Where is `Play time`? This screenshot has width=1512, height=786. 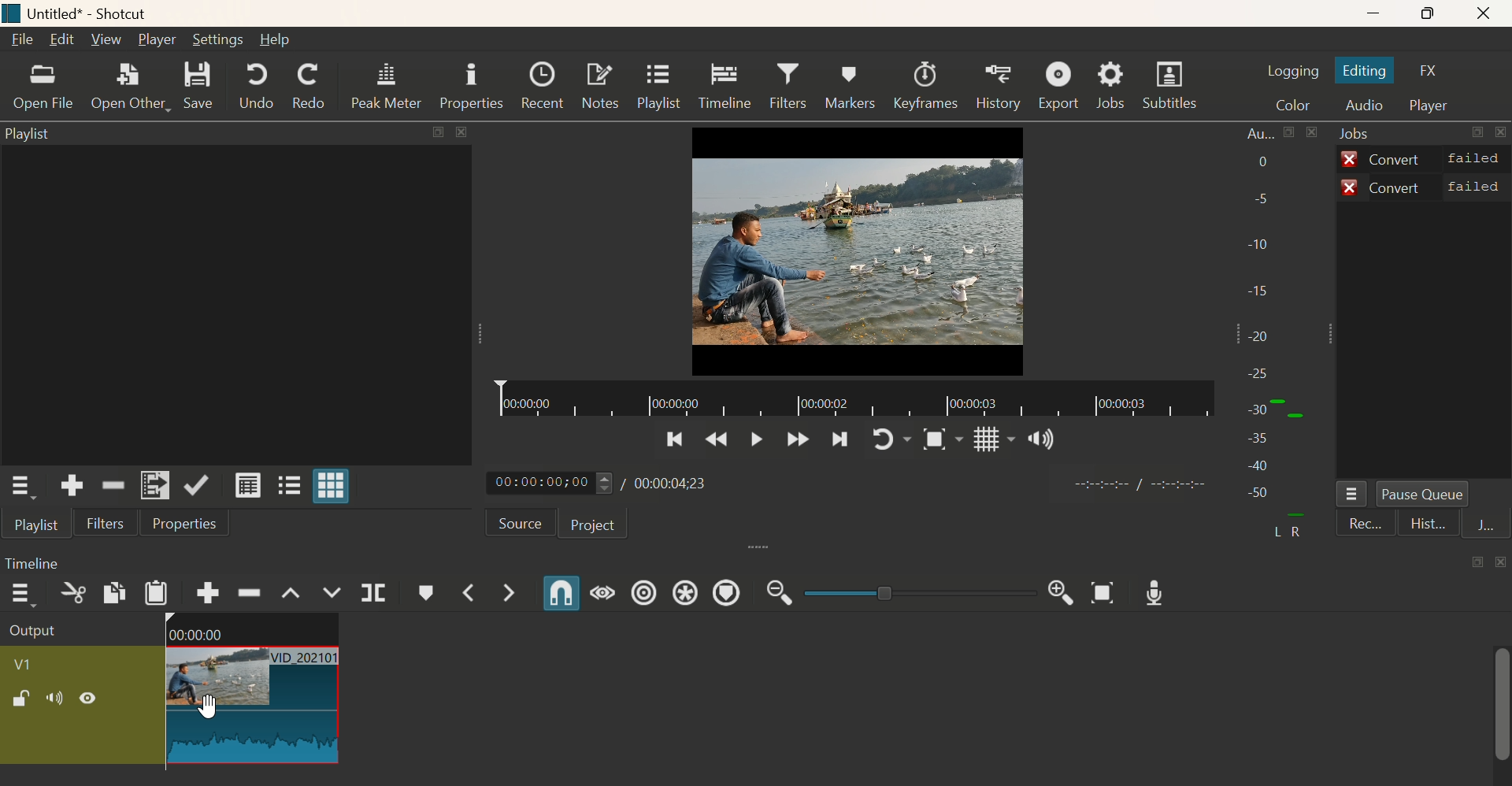
Play time is located at coordinates (607, 484).